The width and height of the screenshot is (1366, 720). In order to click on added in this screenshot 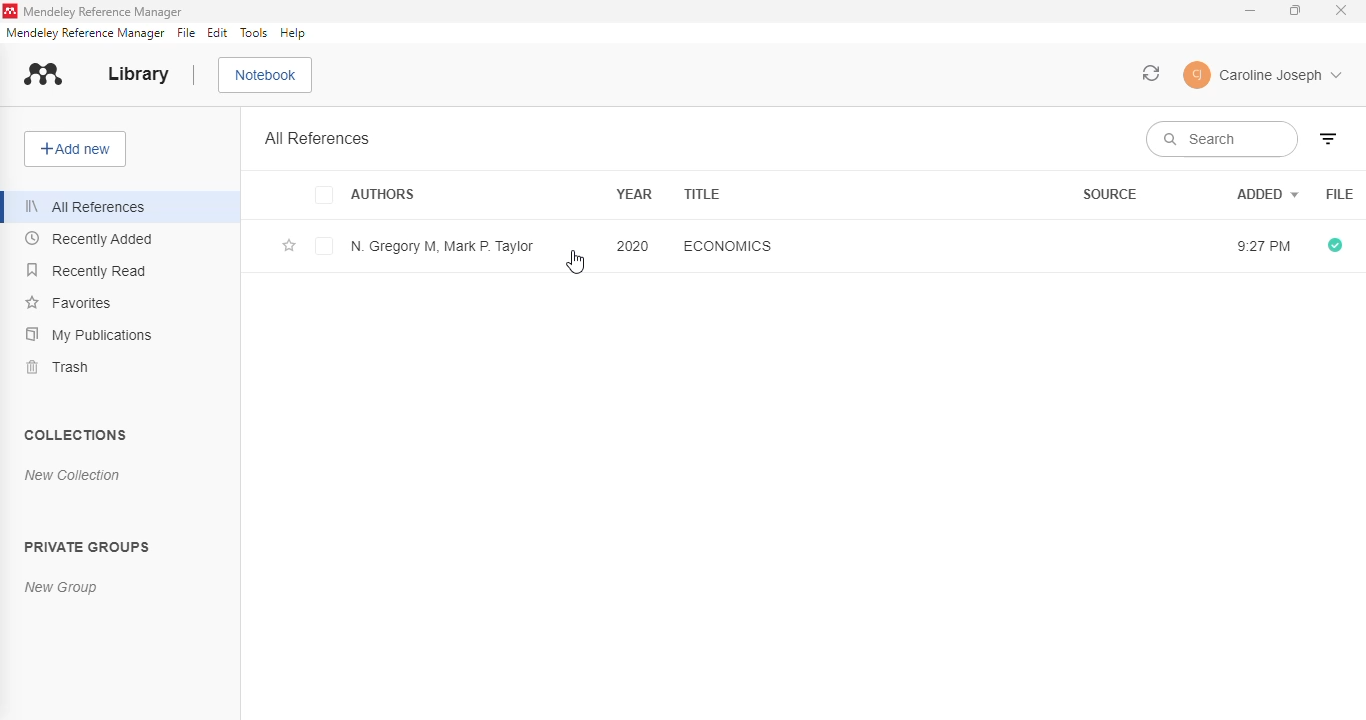, I will do `click(1266, 195)`.